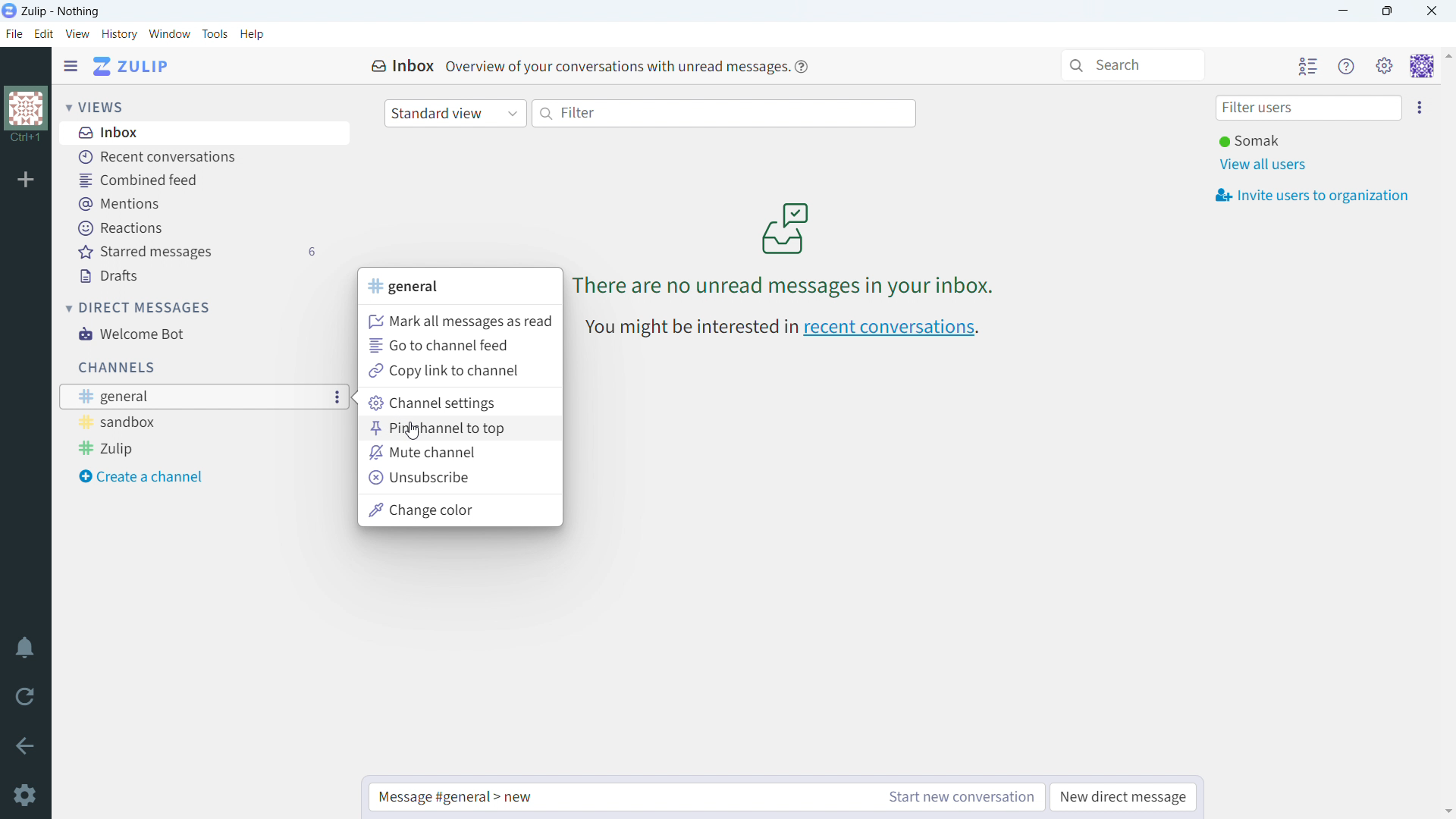  Describe the element at coordinates (458, 320) in the screenshot. I see `mark all messages as read` at that location.